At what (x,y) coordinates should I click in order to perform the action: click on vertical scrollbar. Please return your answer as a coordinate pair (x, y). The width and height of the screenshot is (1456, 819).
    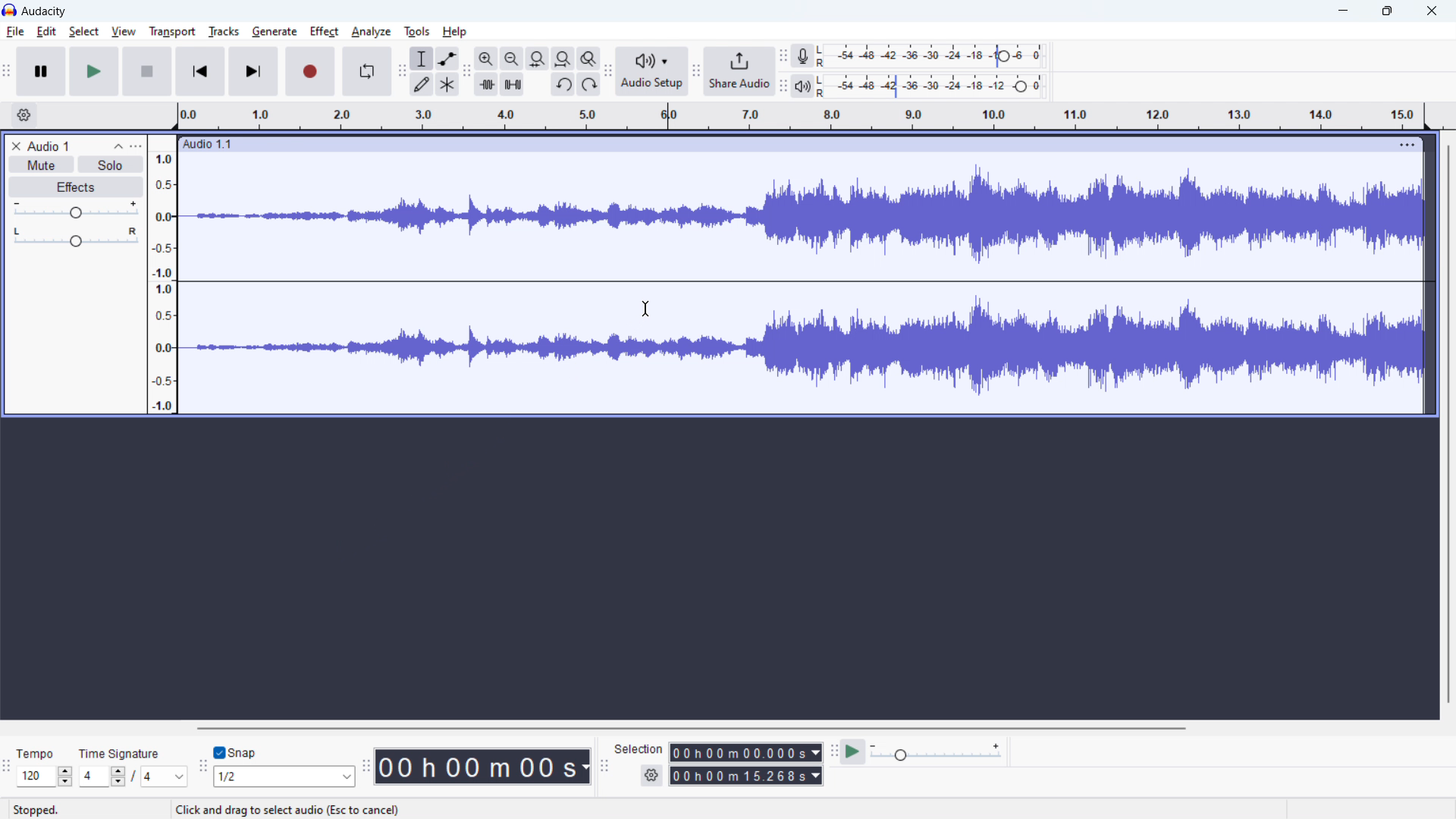
    Looking at the image, I should click on (1449, 419).